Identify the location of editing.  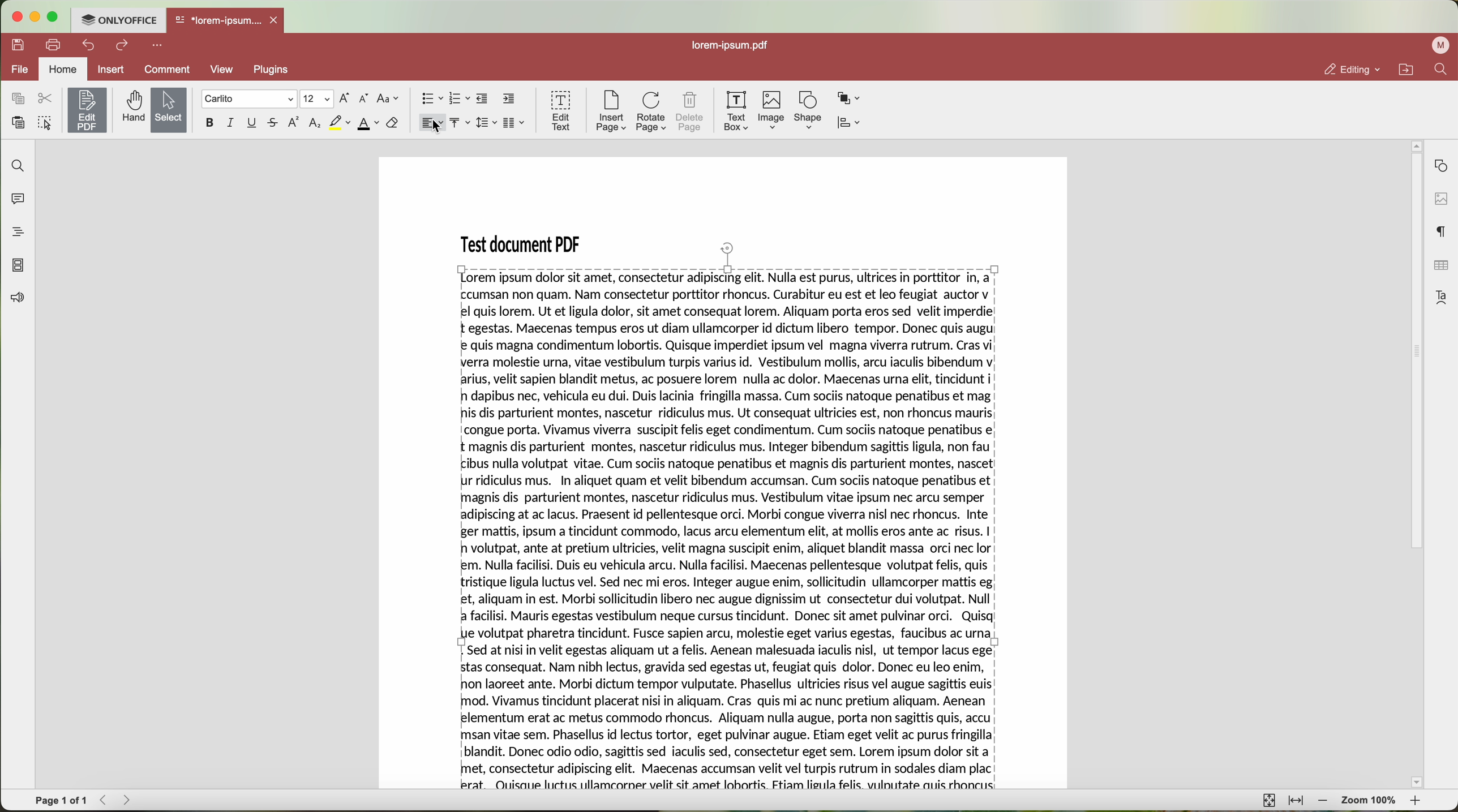
(1348, 67).